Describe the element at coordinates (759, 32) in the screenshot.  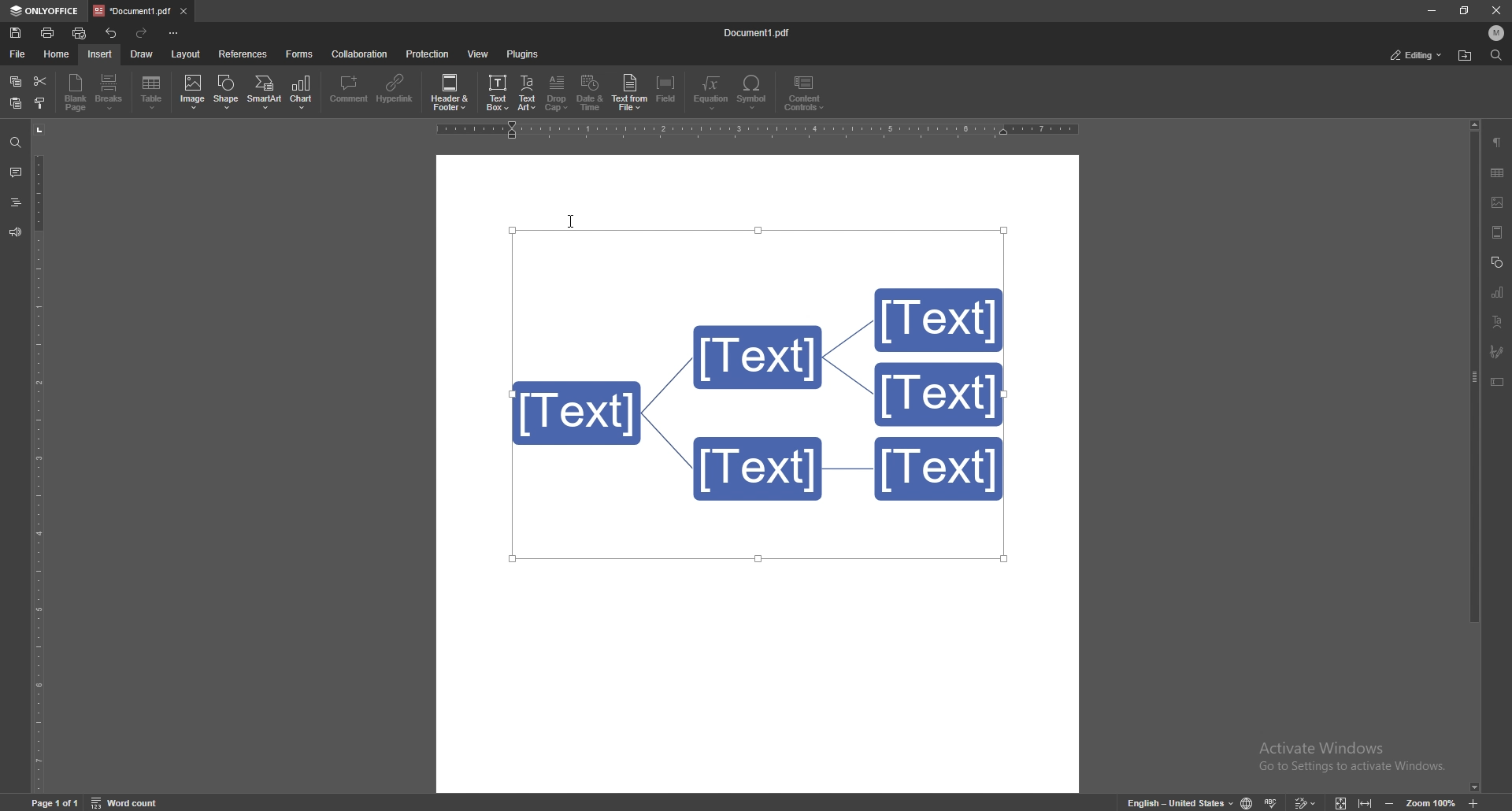
I see `file name` at that location.